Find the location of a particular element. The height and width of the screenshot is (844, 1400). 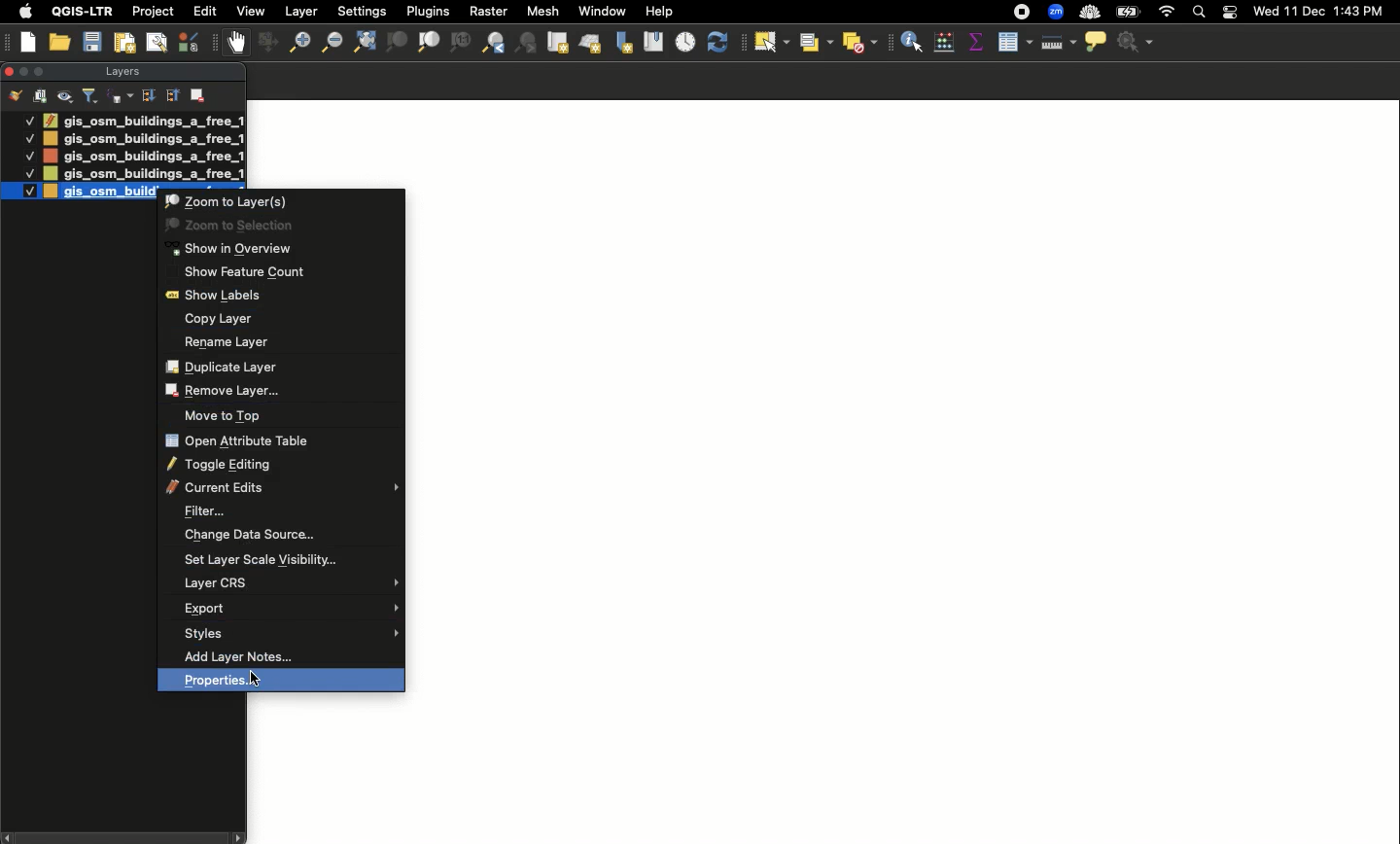

Grab is located at coordinates (237, 42).